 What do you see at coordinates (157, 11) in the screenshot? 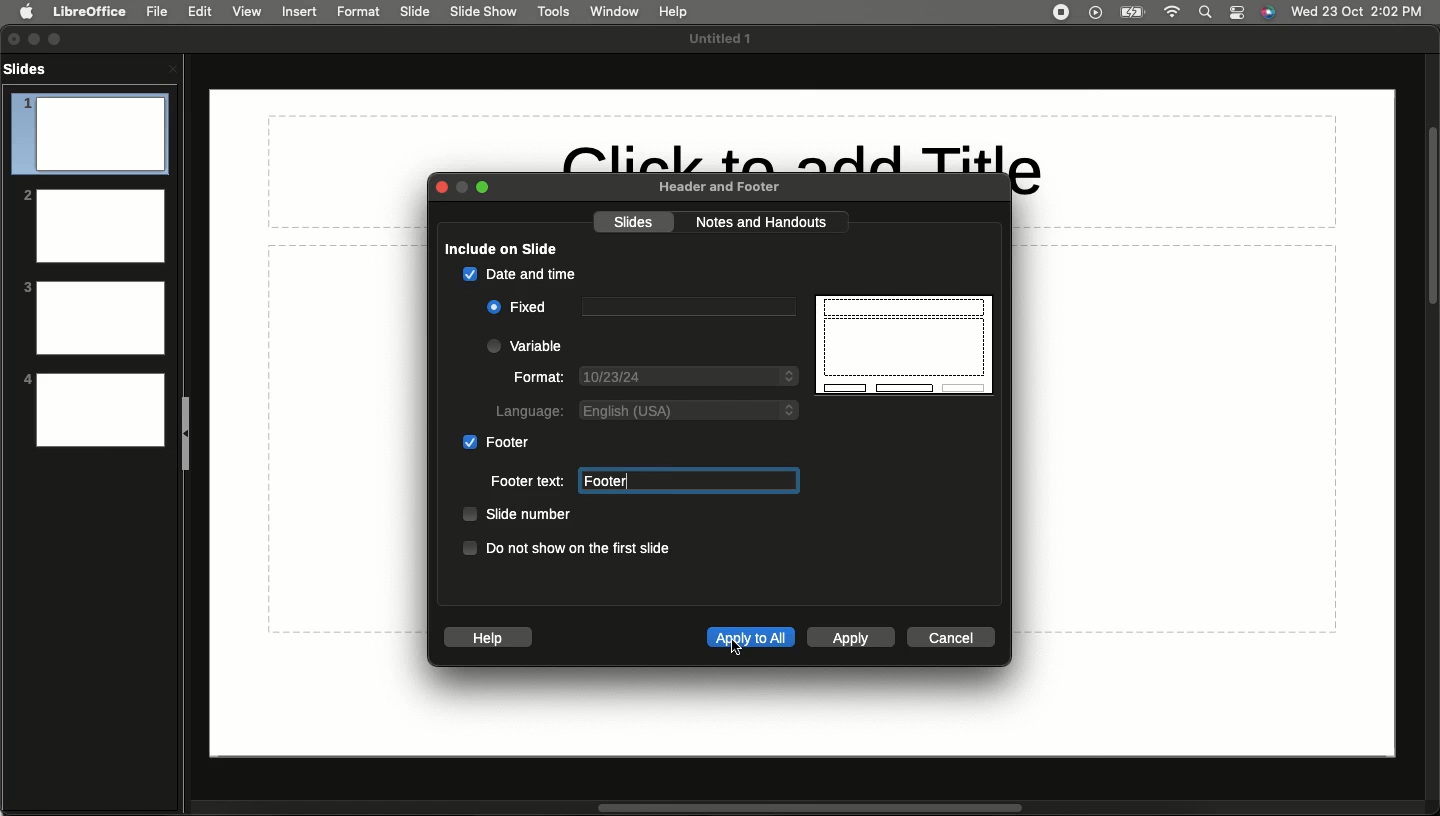
I see `File` at bounding box center [157, 11].